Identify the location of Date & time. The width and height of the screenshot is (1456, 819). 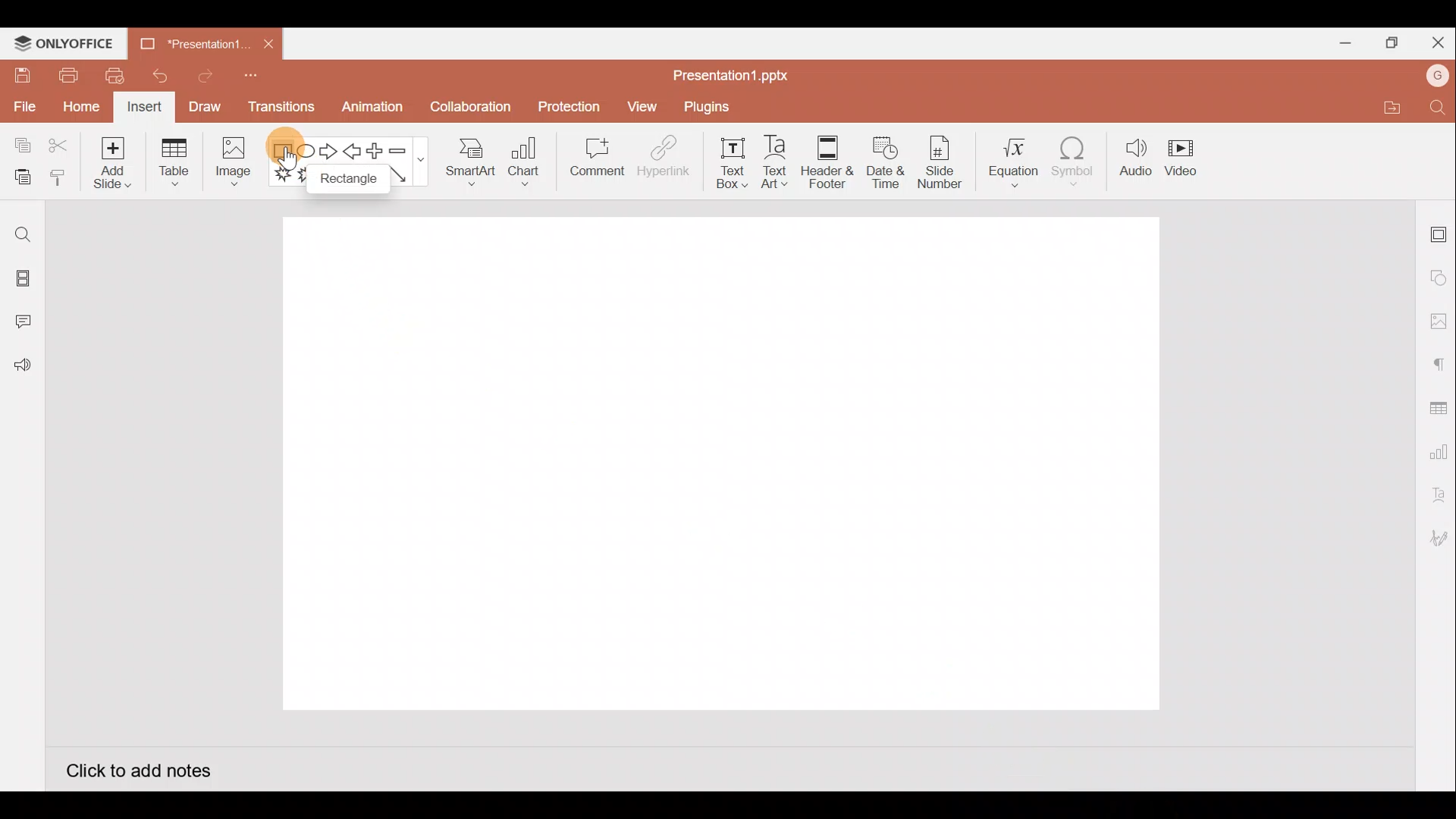
(886, 162).